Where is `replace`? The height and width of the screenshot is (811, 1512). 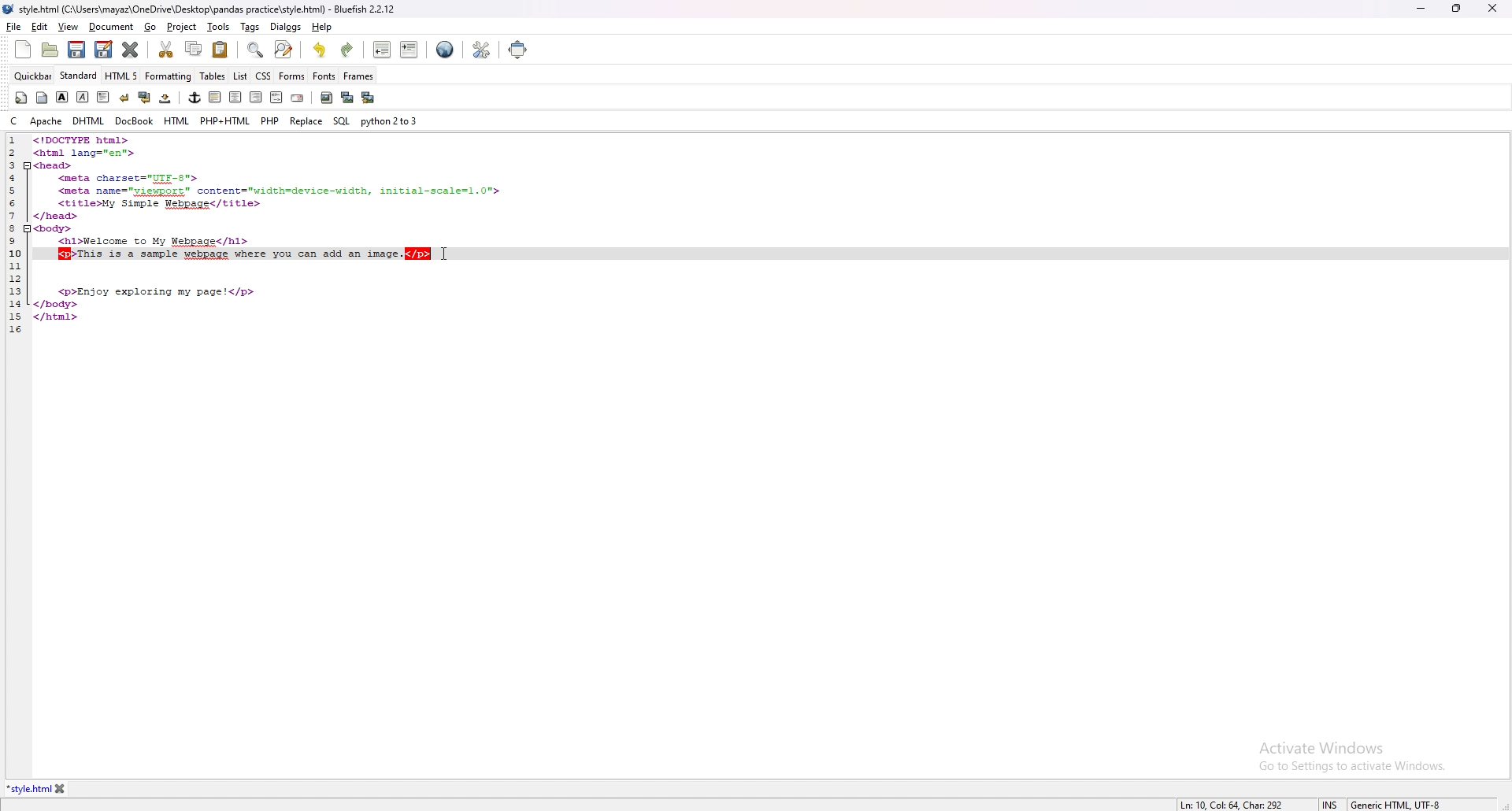 replace is located at coordinates (306, 121).